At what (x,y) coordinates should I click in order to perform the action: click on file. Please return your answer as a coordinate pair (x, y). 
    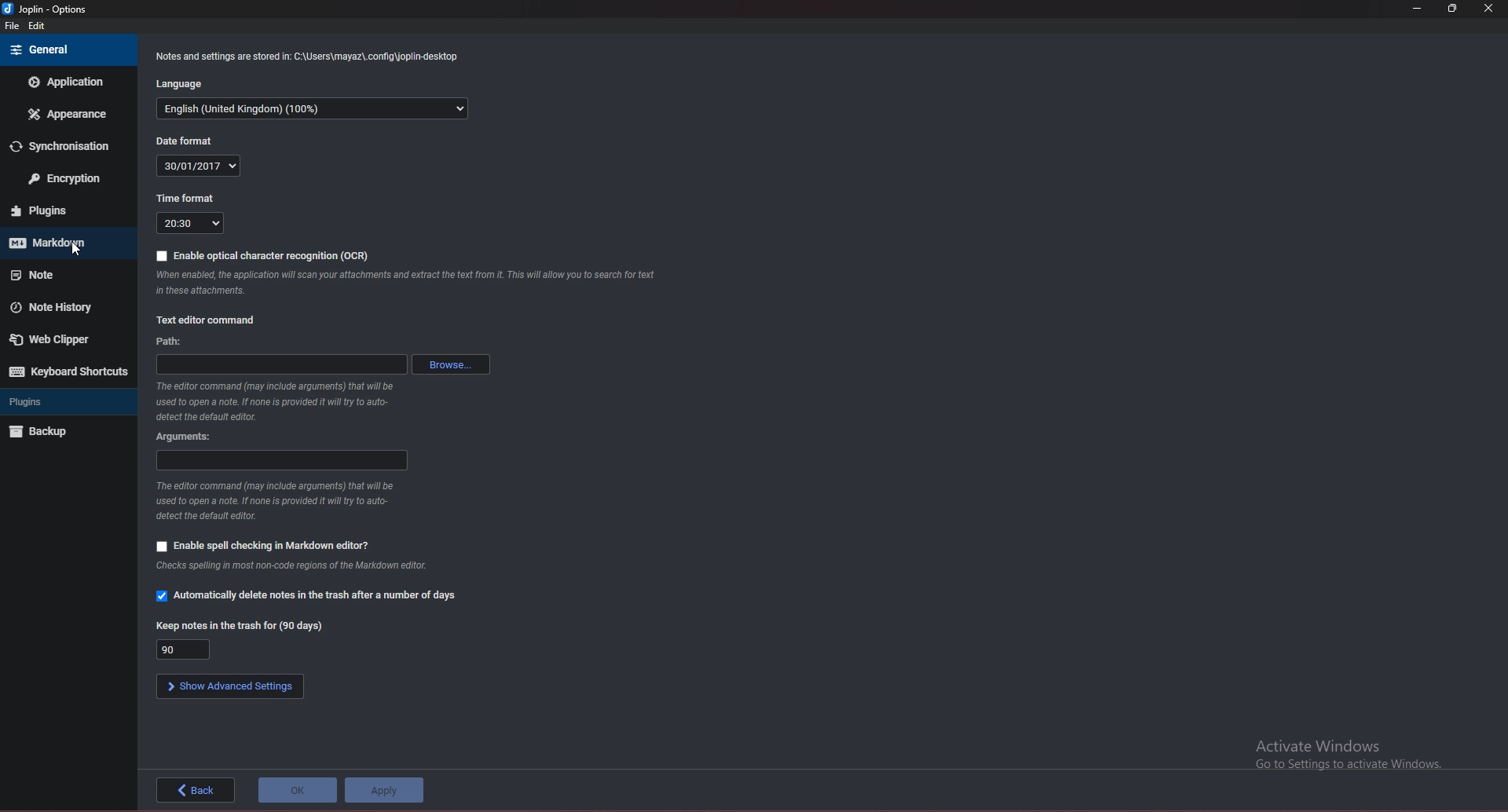
    Looking at the image, I should click on (11, 27).